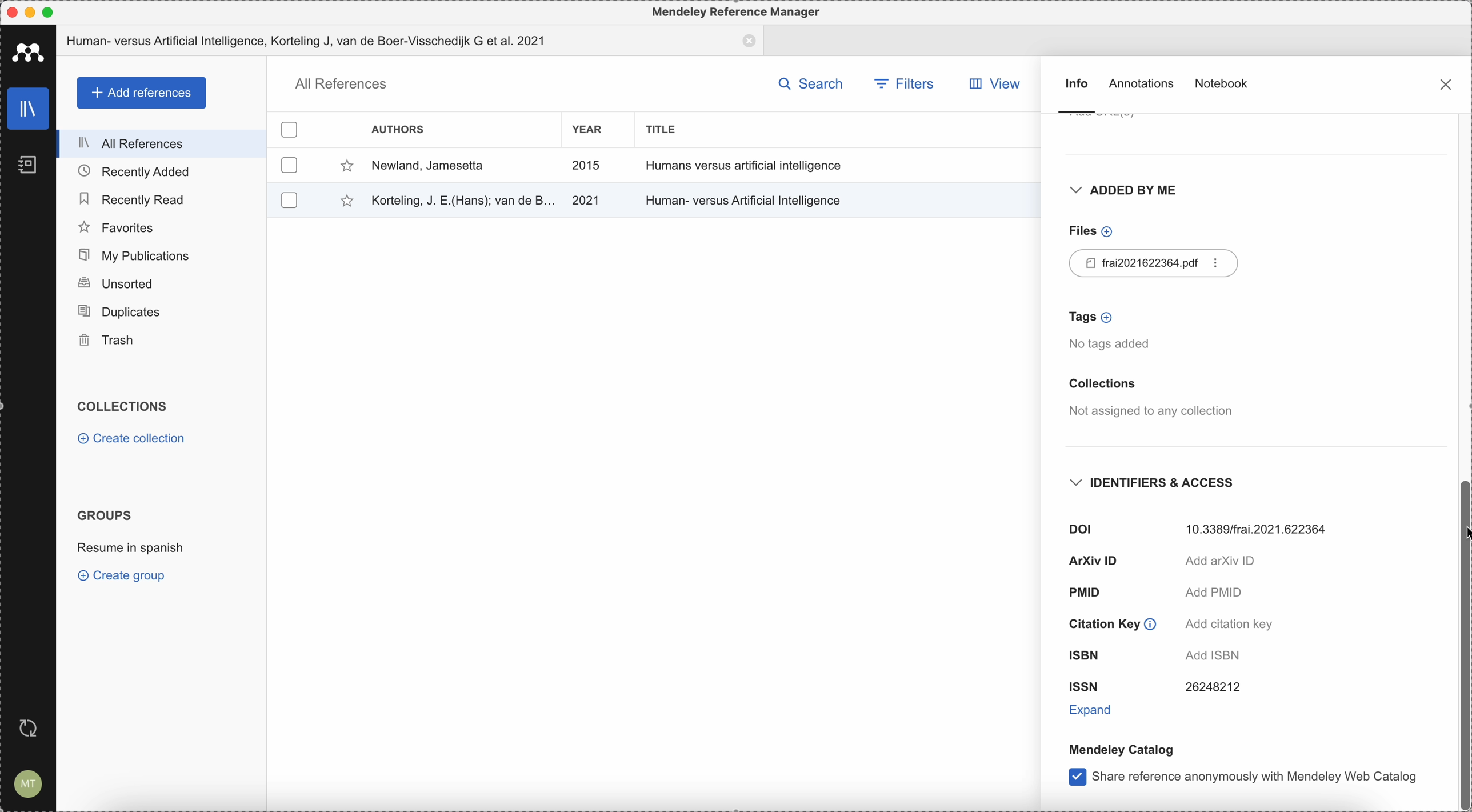 The image size is (1472, 812). I want to click on DOI, so click(1202, 527).